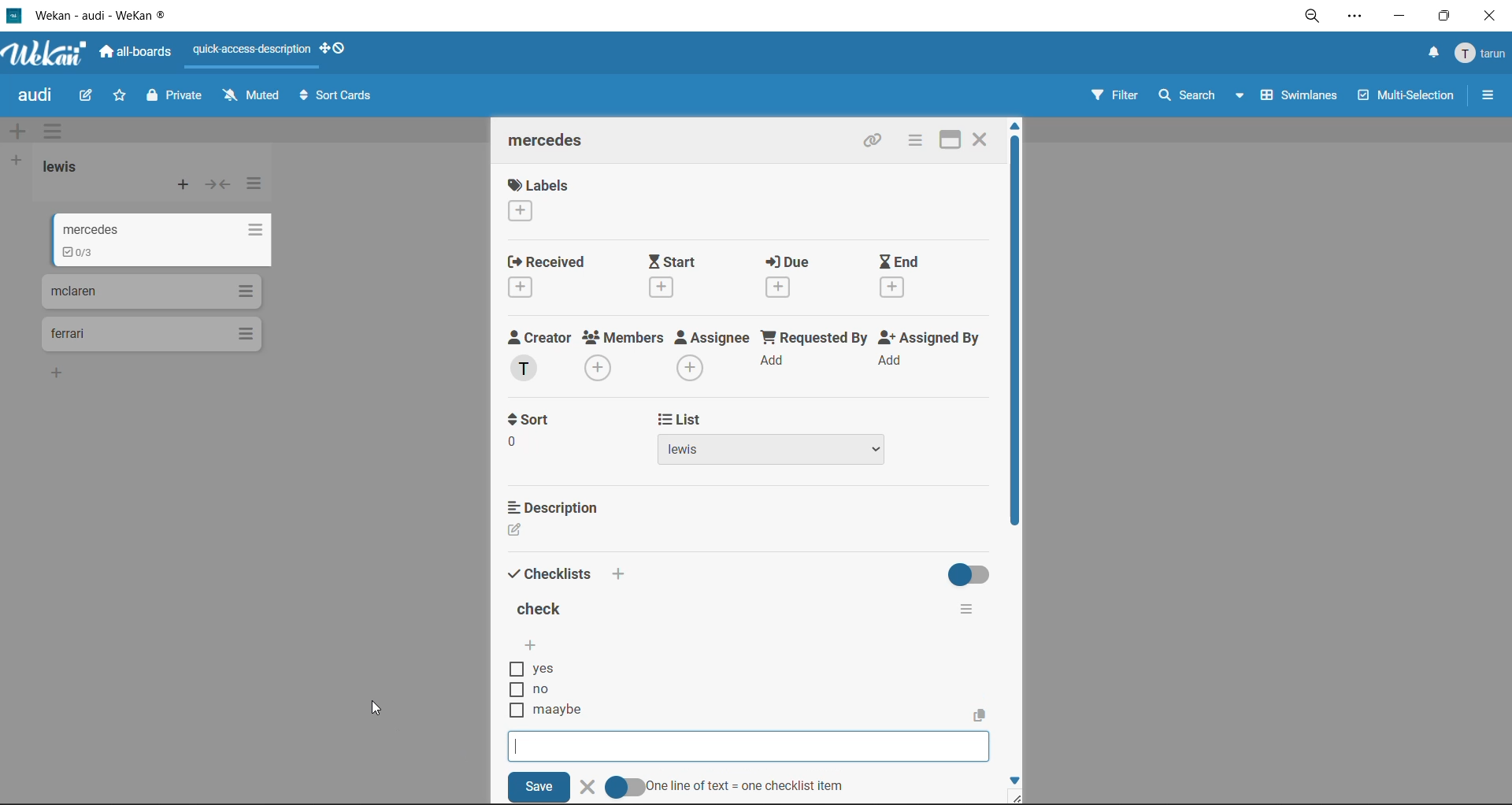 The image size is (1512, 805). Describe the element at coordinates (711, 357) in the screenshot. I see `assignee` at that location.